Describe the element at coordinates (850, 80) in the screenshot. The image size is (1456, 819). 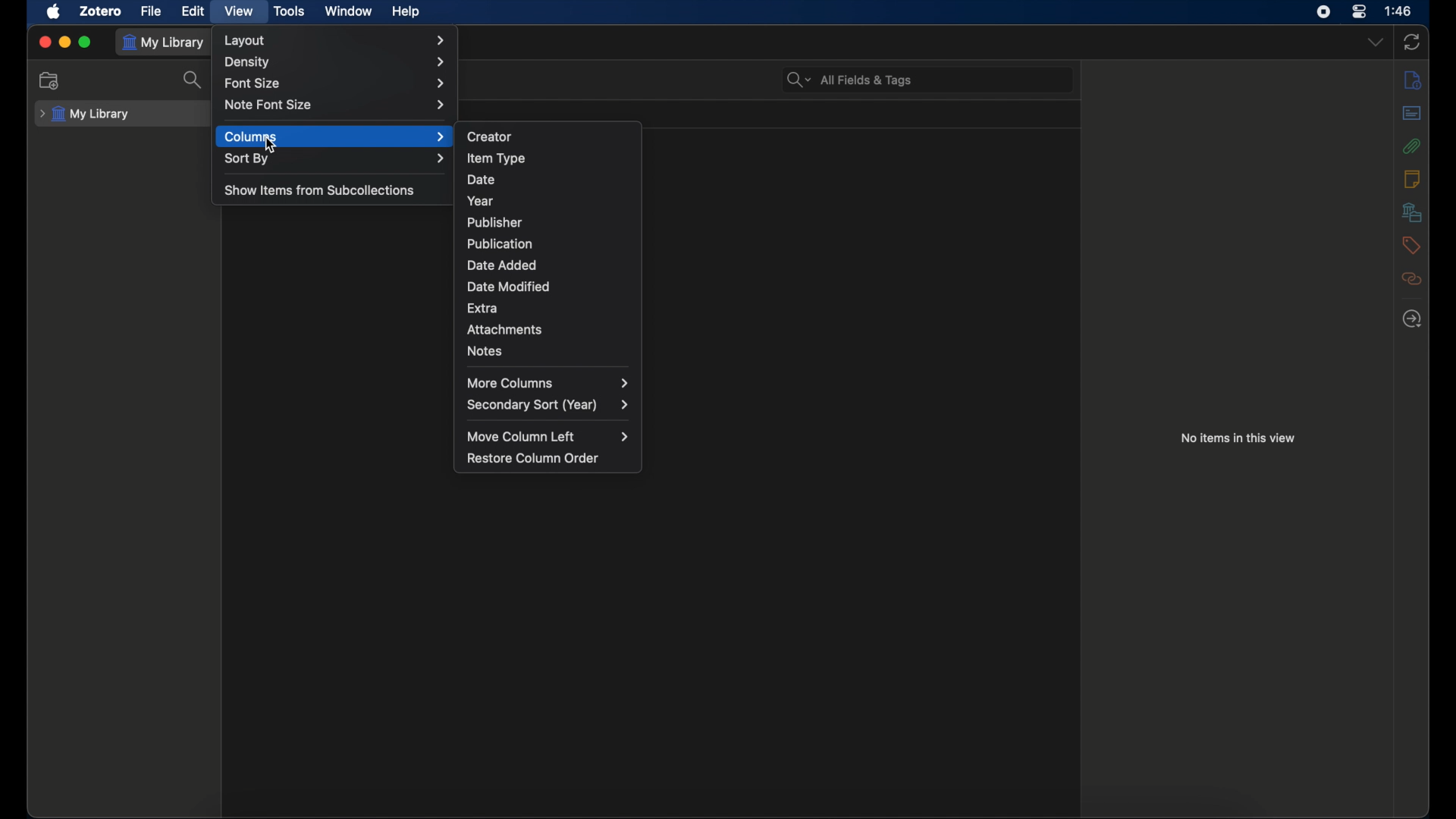
I see `All fields & tags` at that location.